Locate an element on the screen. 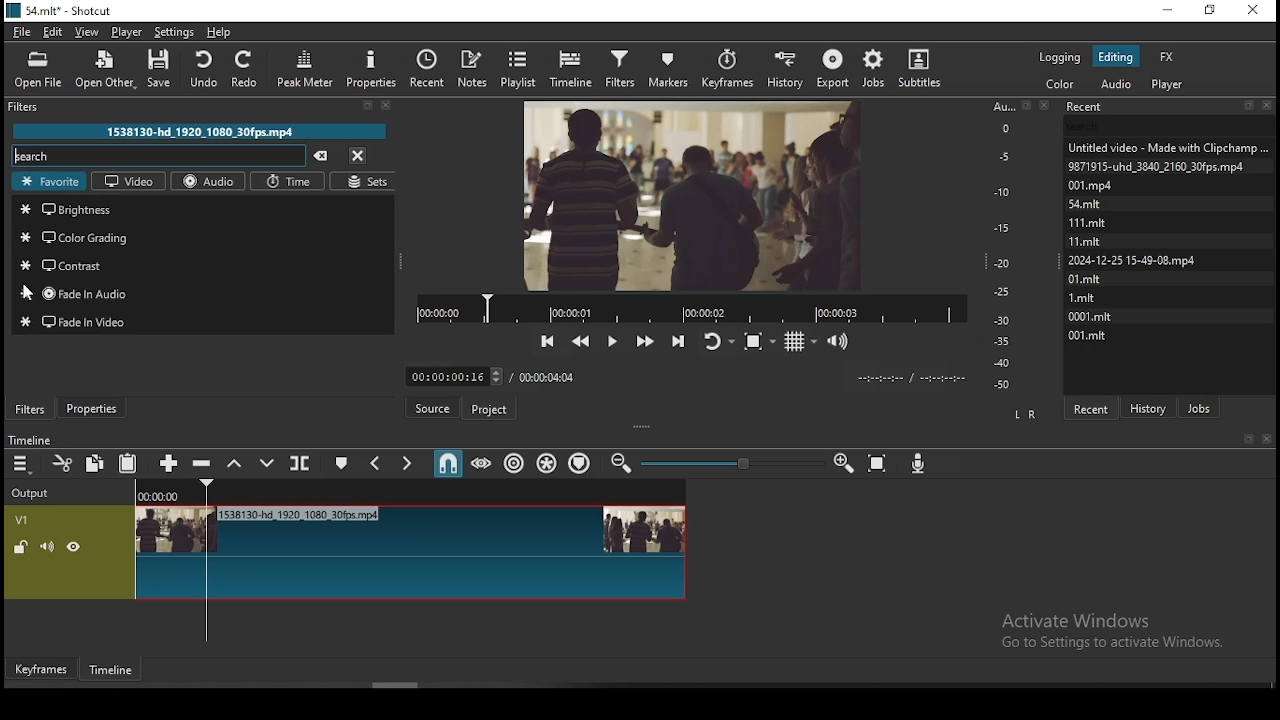  append is located at coordinates (169, 464).